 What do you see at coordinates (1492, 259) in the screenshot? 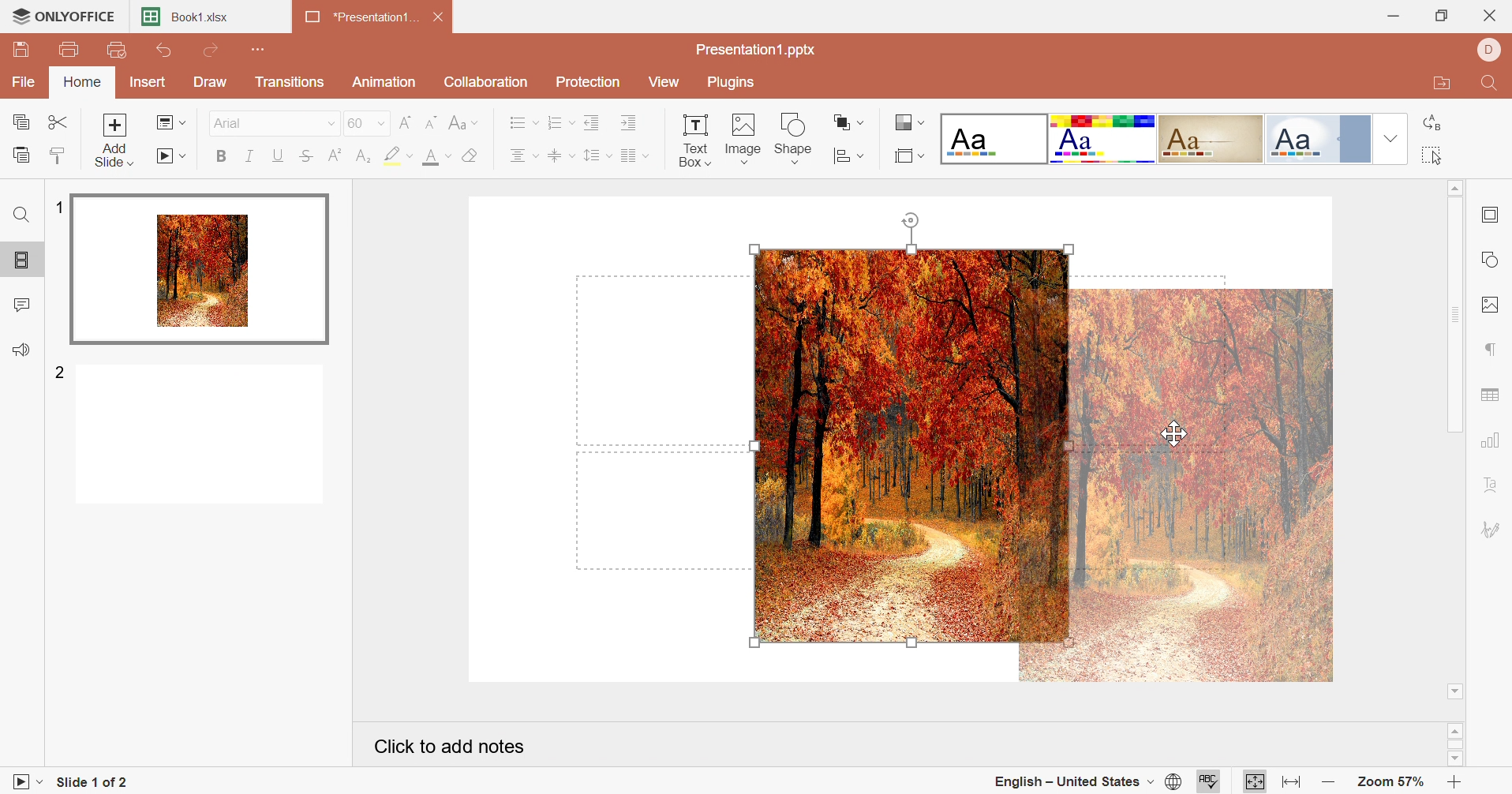
I see `Shape settings` at bounding box center [1492, 259].